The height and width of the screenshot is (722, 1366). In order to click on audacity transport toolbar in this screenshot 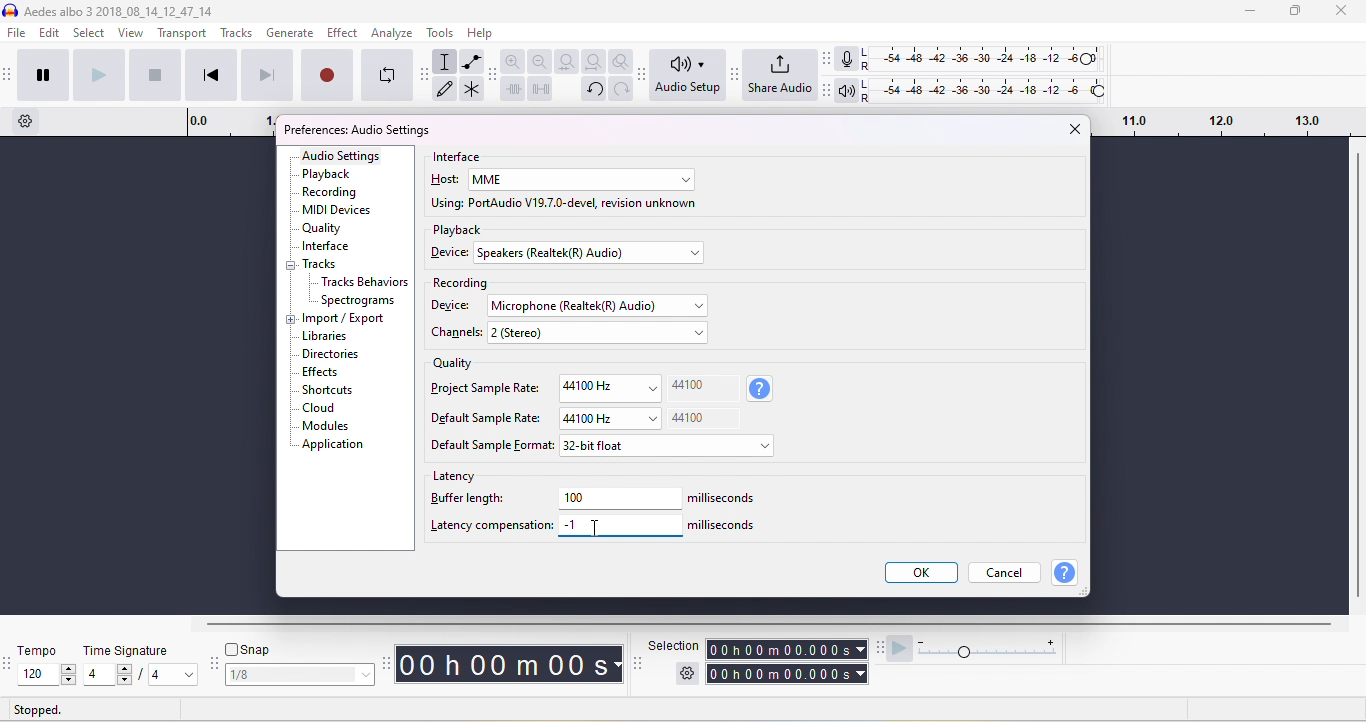, I will do `click(9, 74)`.